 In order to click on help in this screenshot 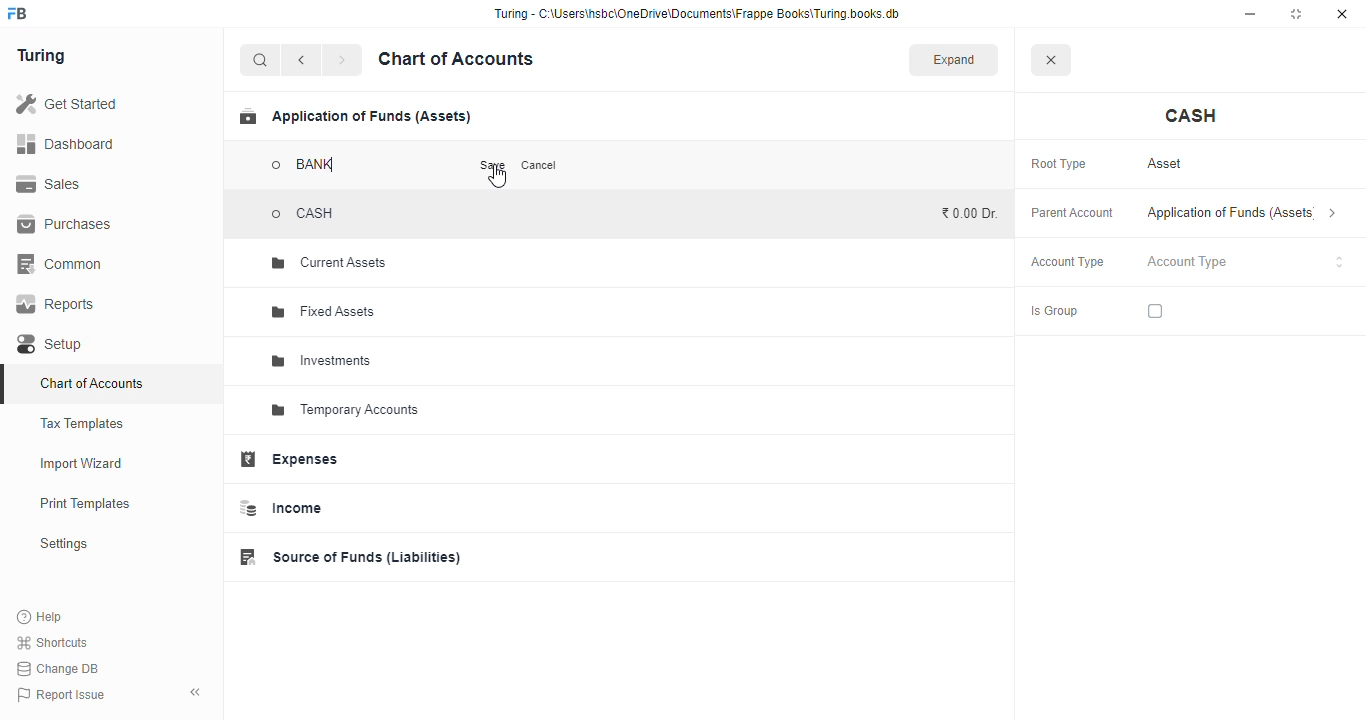, I will do `click(40, 616)`.